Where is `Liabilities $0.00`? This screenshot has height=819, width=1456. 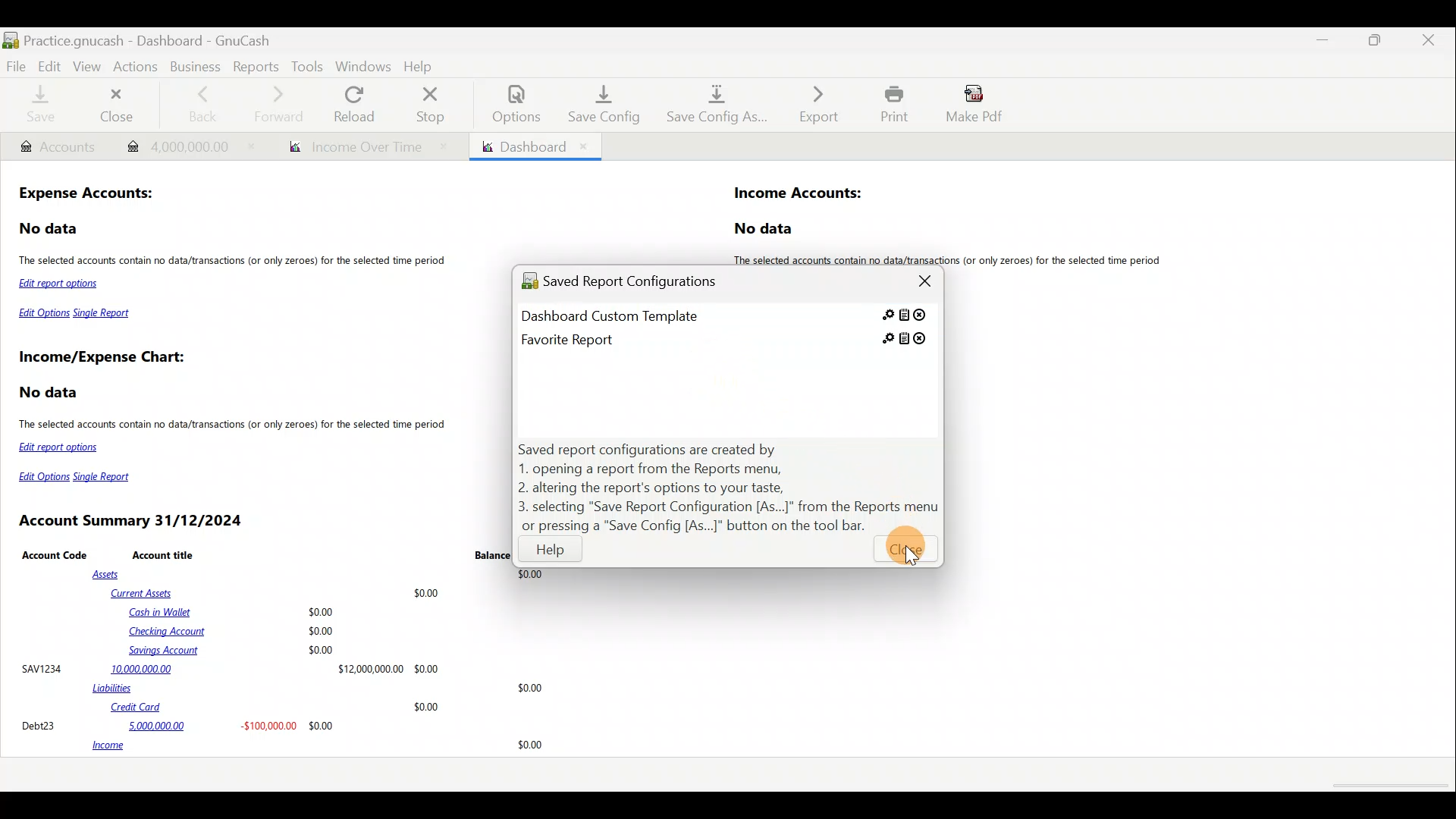 Liabilities $0.00 is located at coordinates (321, 688).